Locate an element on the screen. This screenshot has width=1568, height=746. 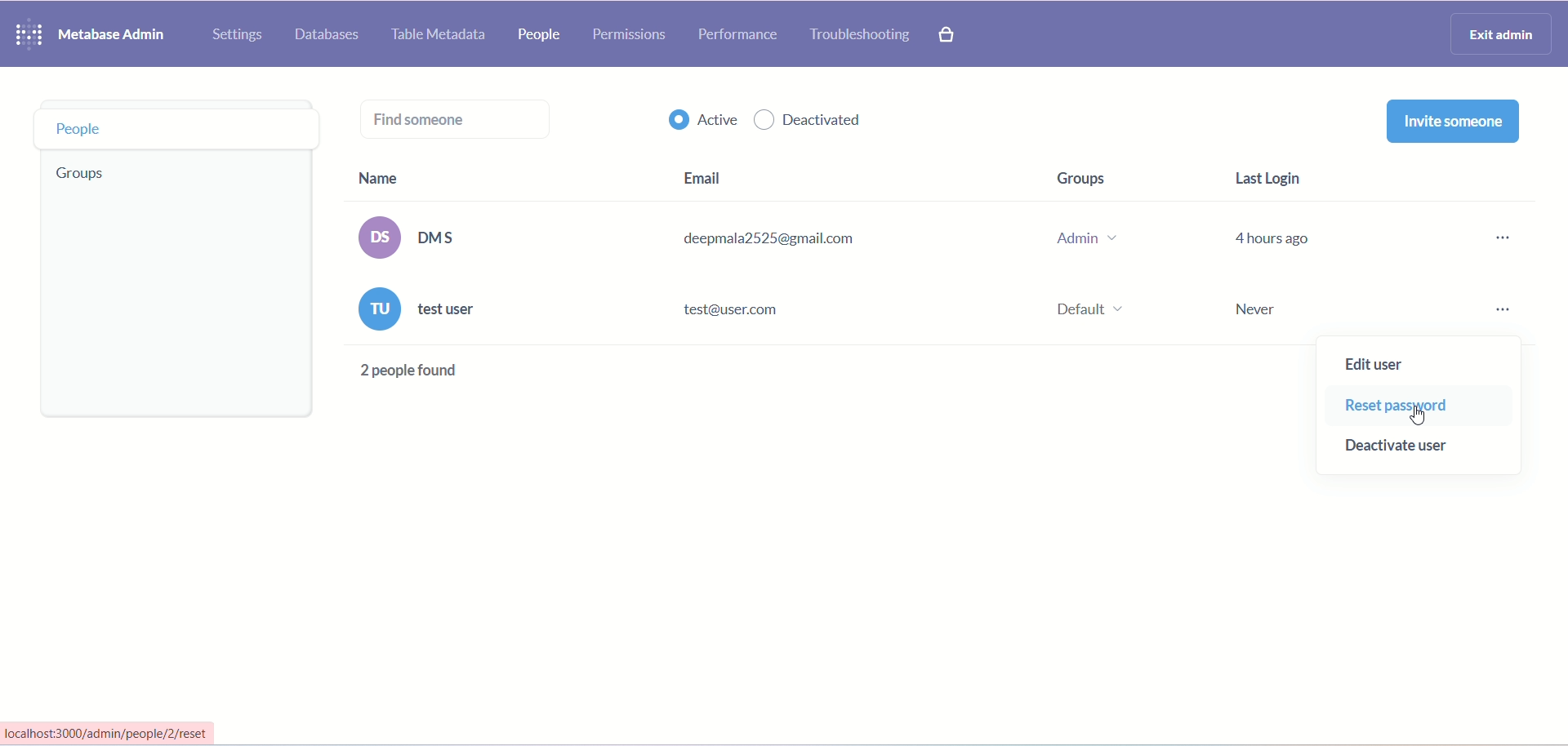
cursor is located at coordinates (1421, 417).